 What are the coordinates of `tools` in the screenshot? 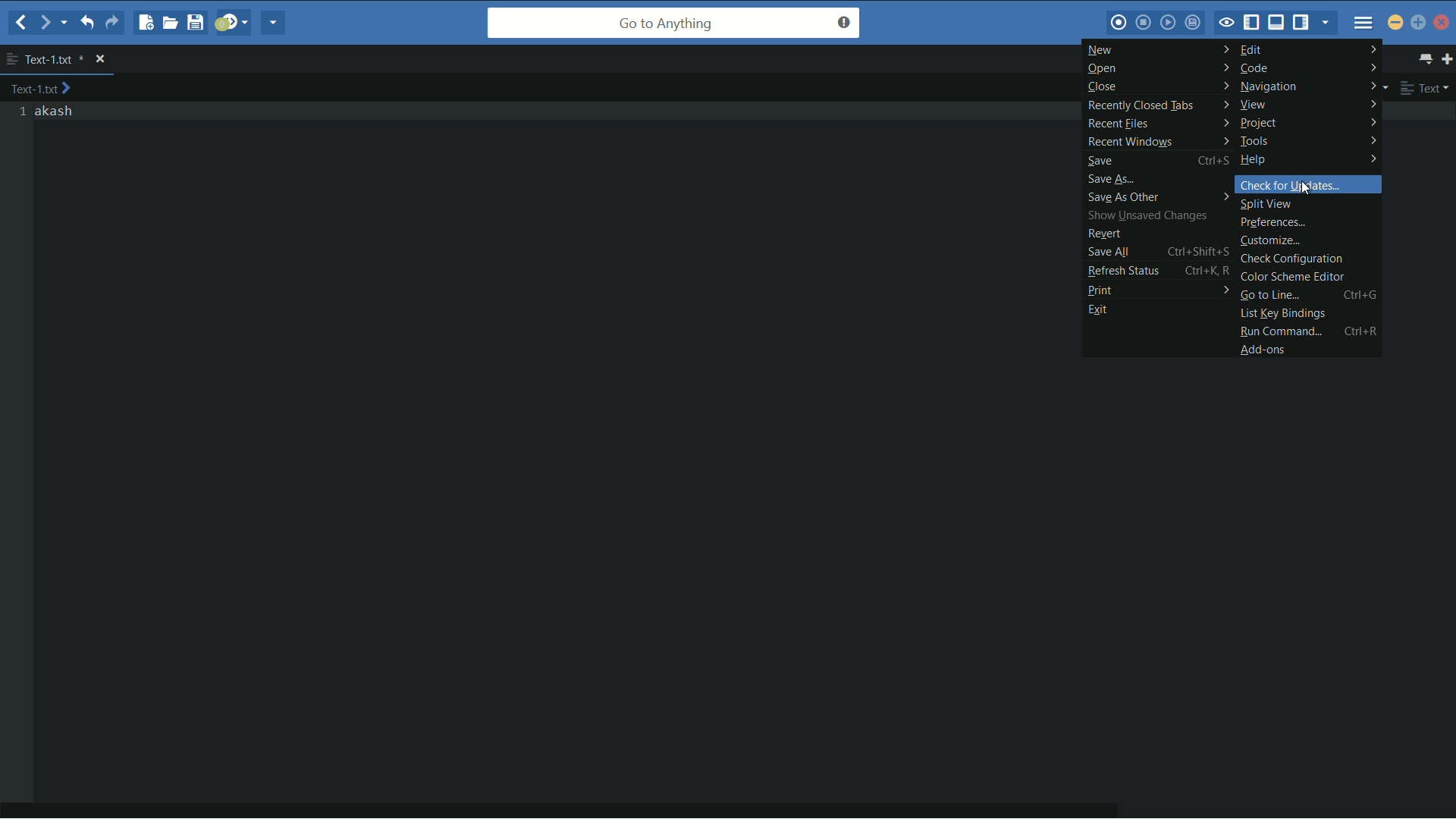 It's located at (1308, 140).